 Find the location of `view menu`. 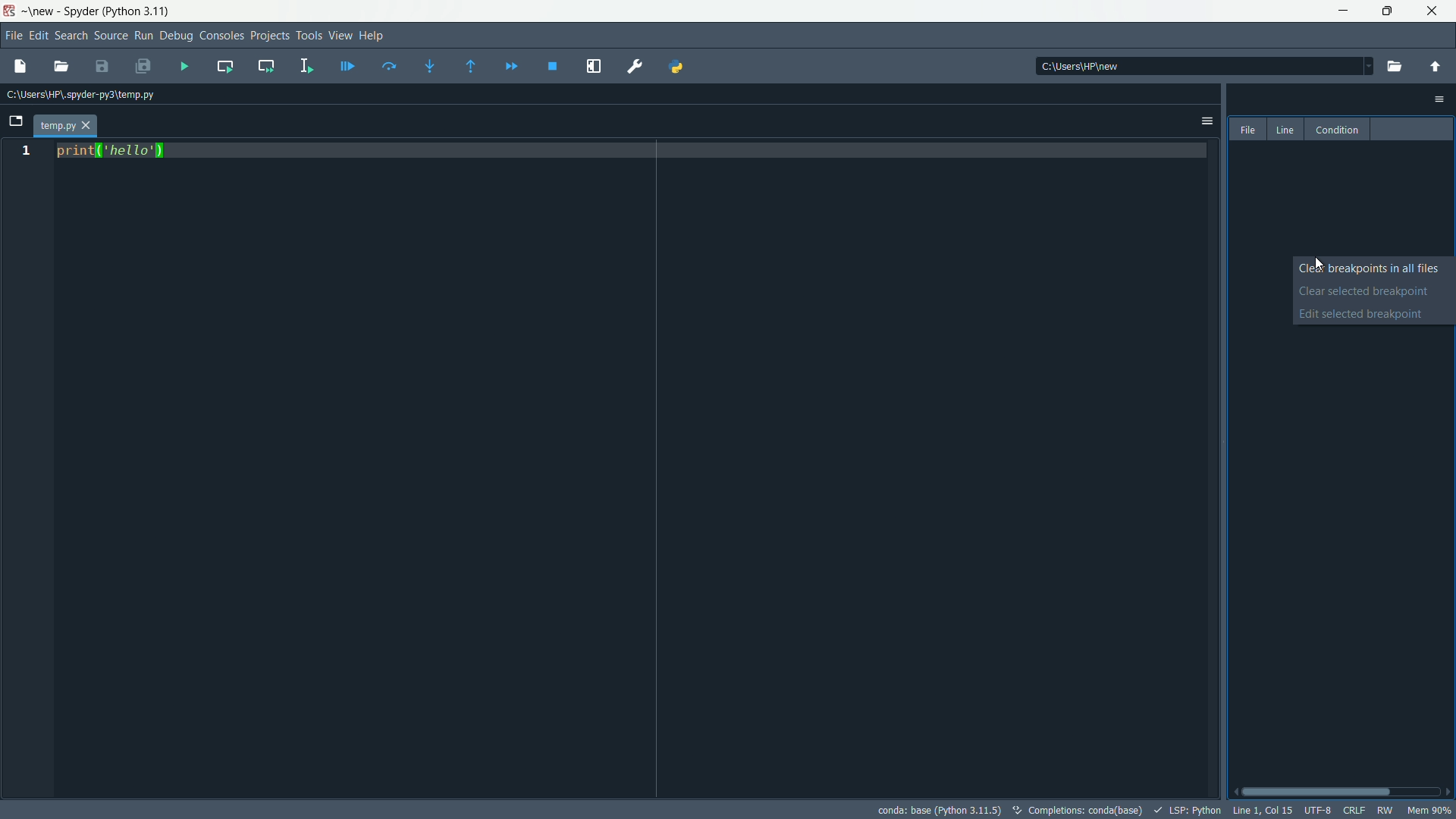

view menu is located at coordinates (339, 36).